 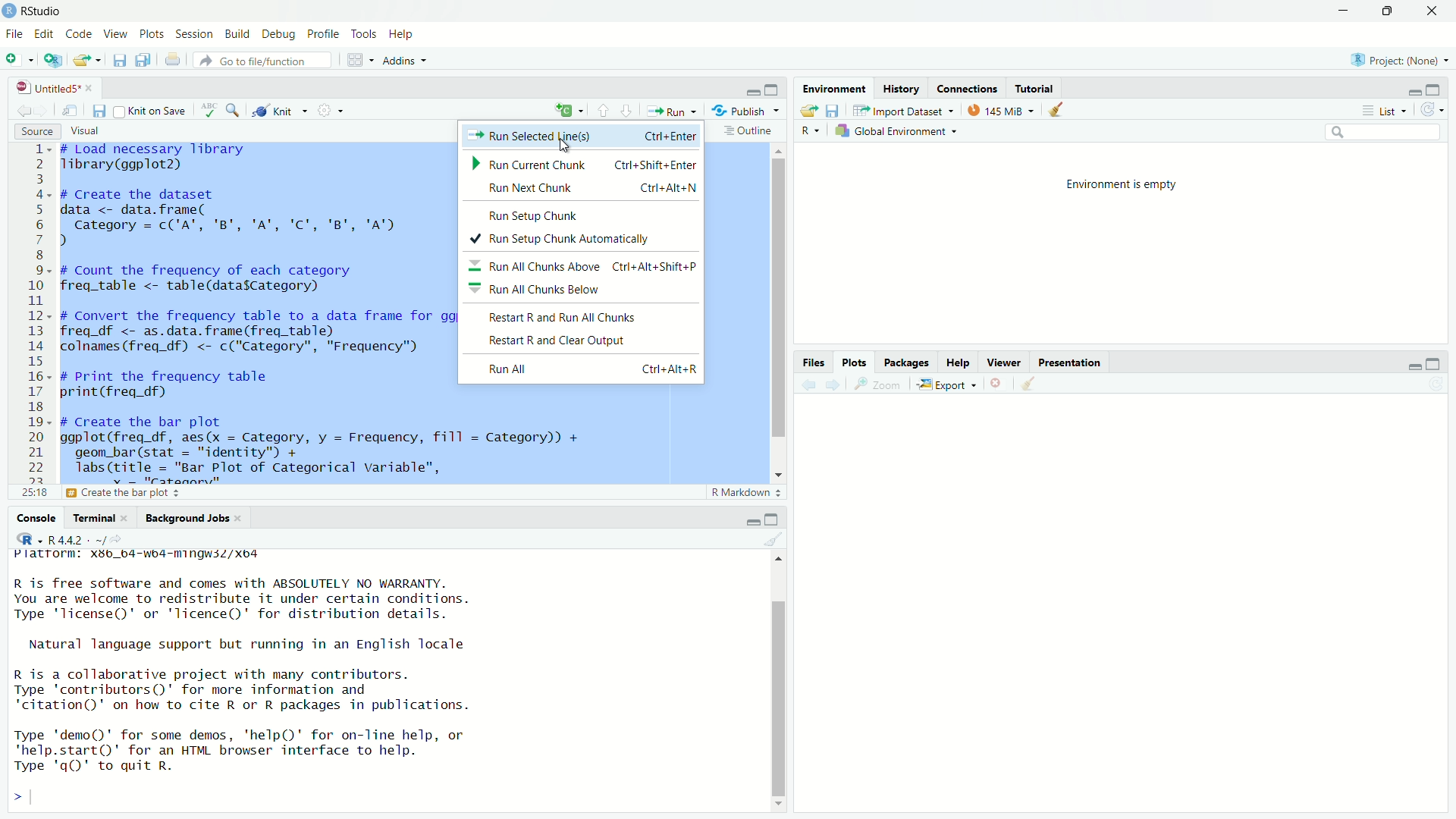 I want to click on Create the bar plot, so click(x=164, y=493).